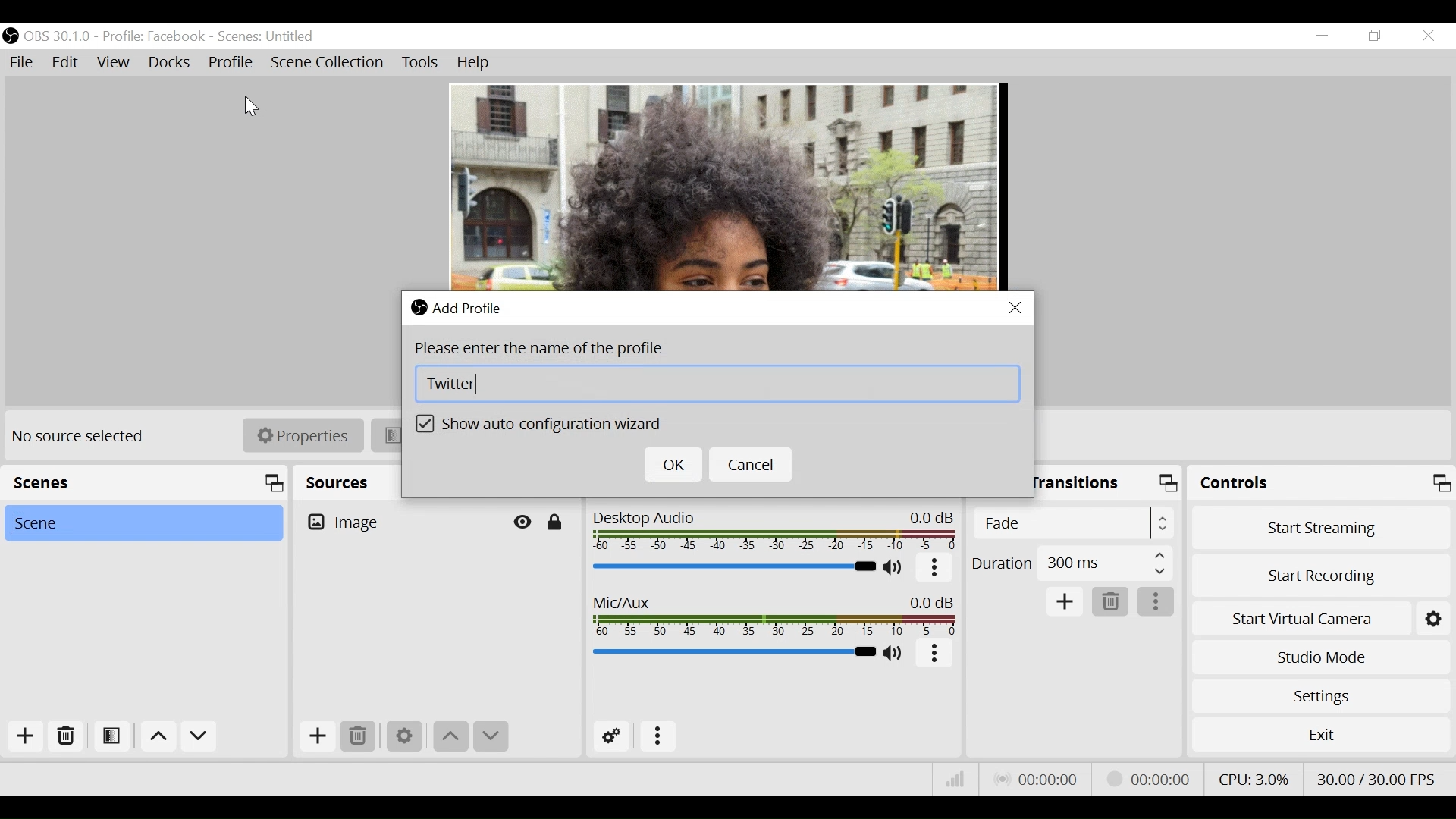 The height and width of the screenshot is (819, 1456). I want to click on Move up, so click(450, 736).